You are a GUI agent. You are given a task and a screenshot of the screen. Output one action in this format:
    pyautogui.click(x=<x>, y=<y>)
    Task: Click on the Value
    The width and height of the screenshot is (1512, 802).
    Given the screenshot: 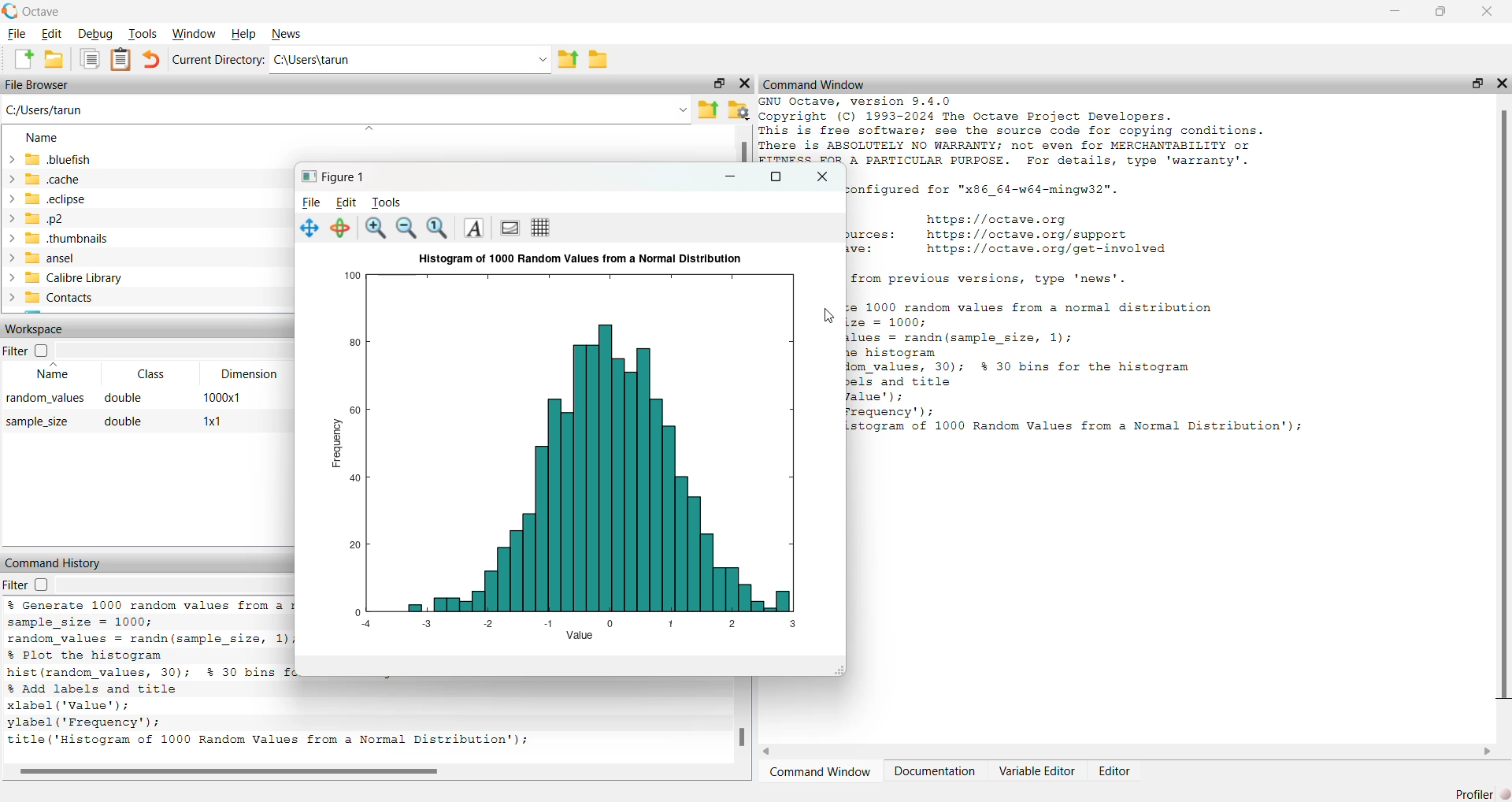 What is the action you would take?
    pyautogui.click(x=580, y=634)
    